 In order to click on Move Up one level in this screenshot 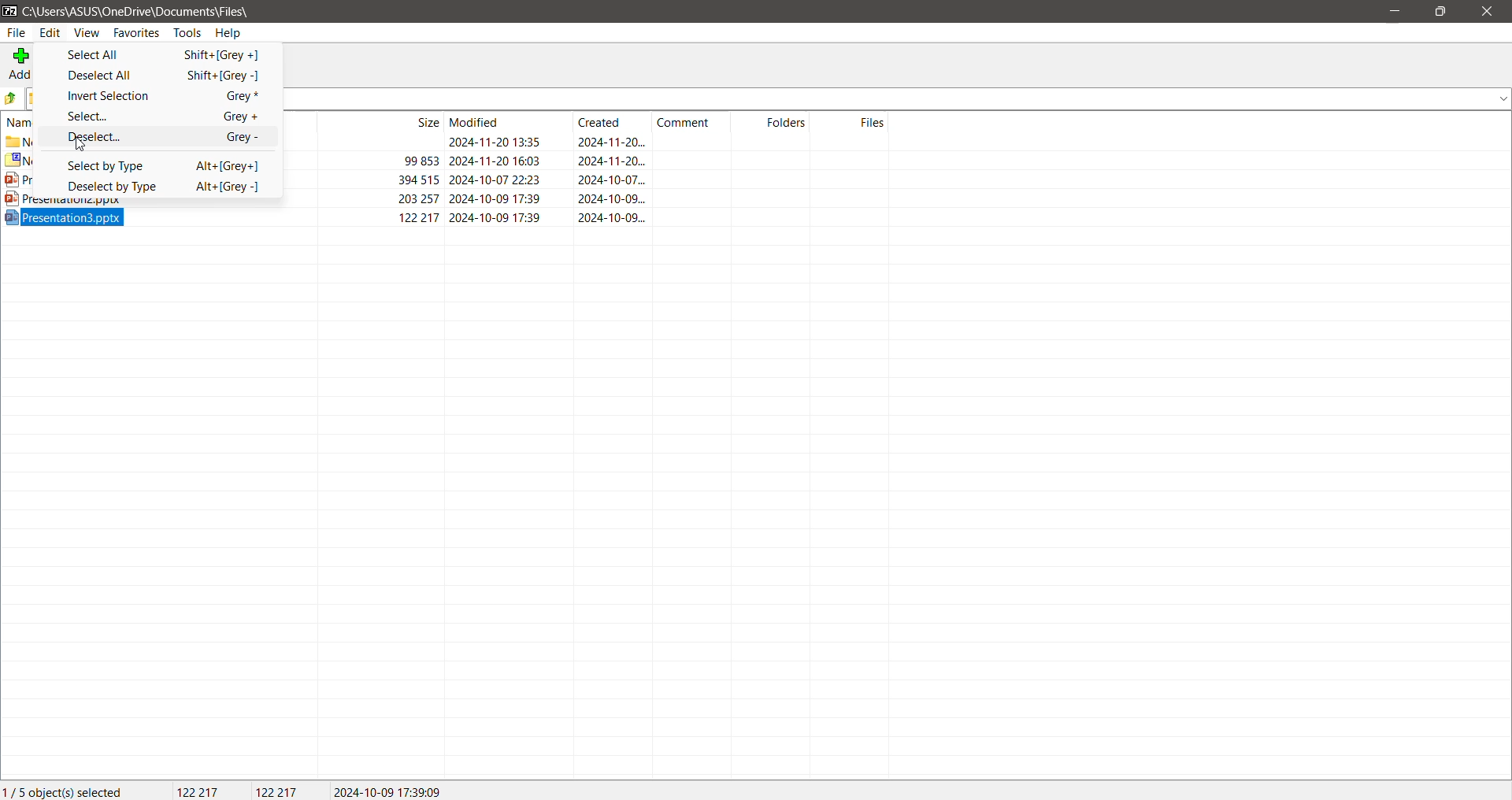, I will do `click(11, 99)`.